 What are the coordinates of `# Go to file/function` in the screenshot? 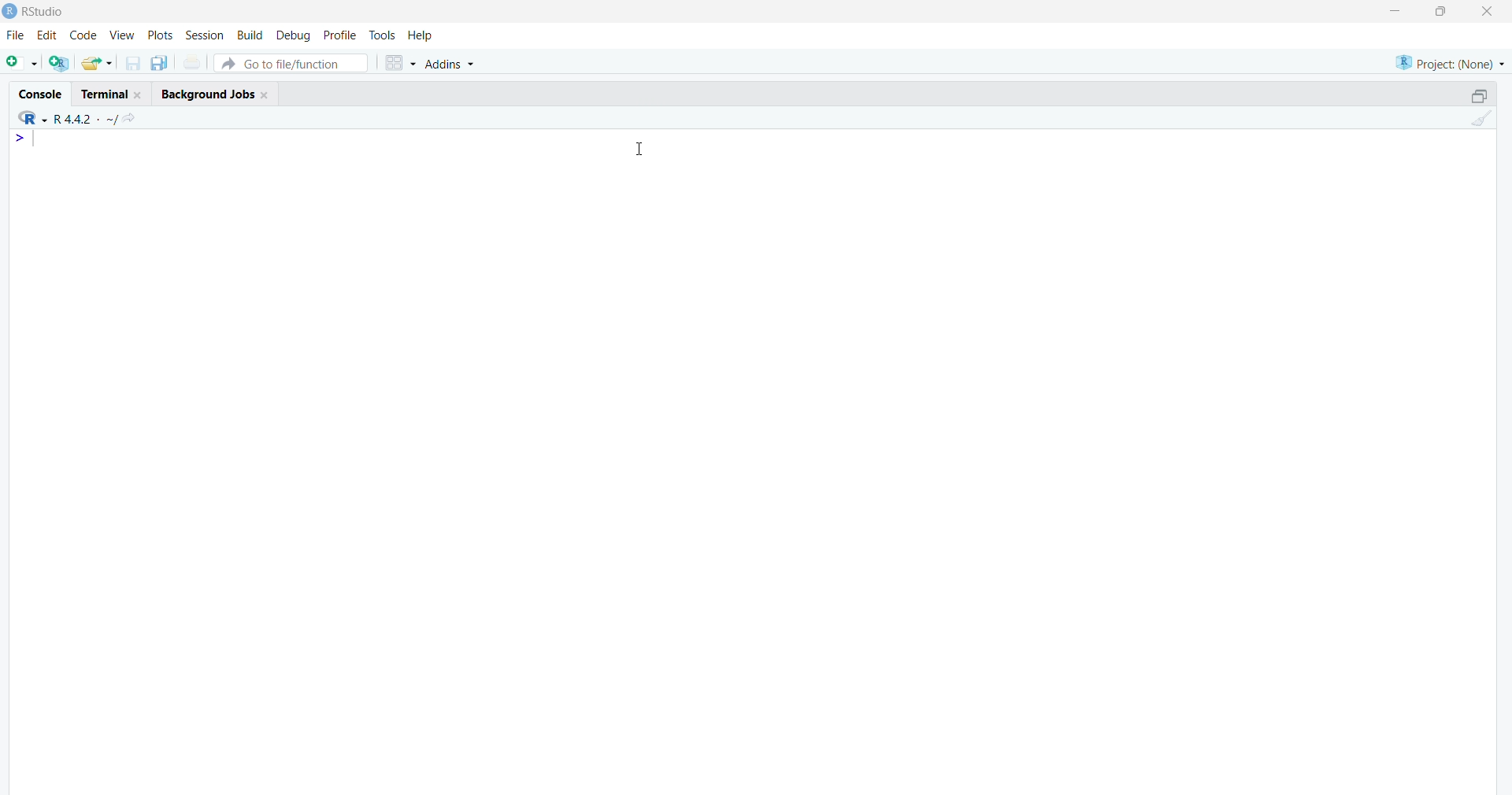 It's located at (291, 63).